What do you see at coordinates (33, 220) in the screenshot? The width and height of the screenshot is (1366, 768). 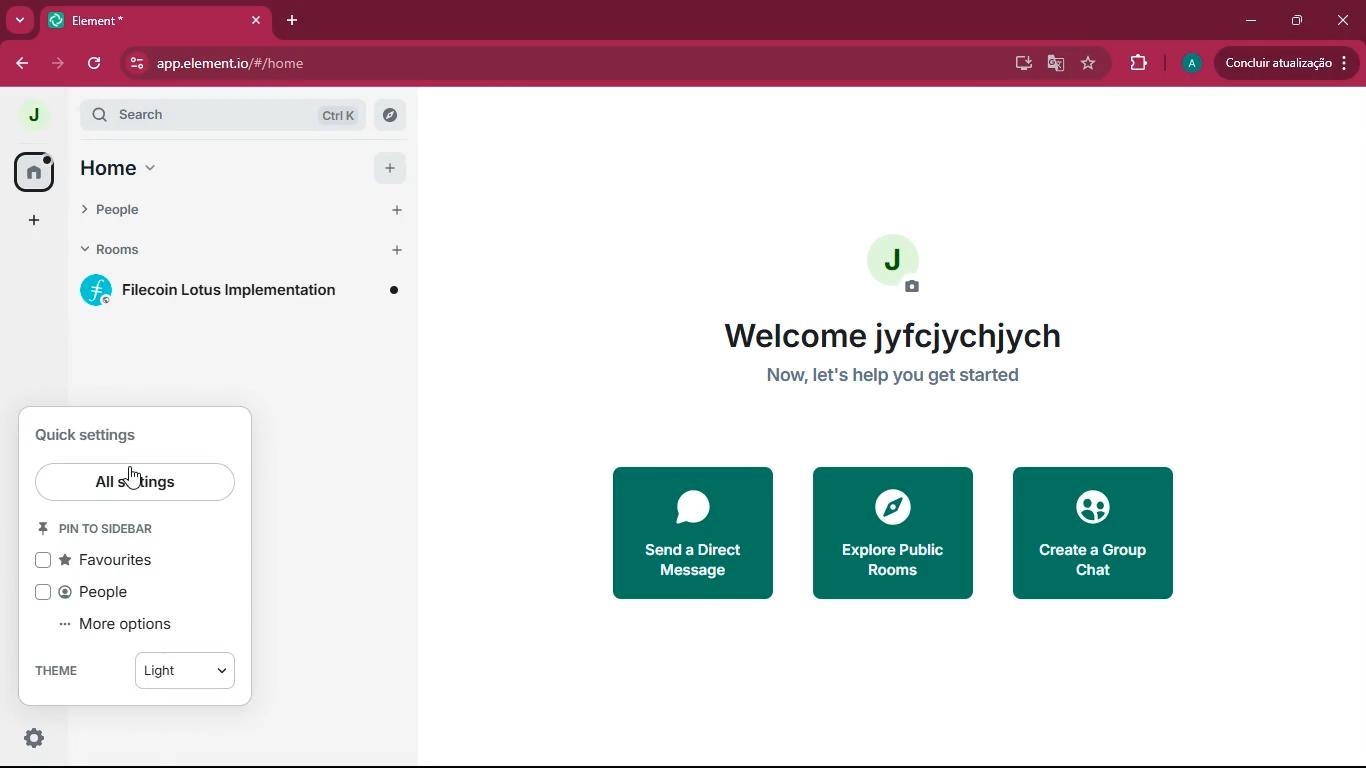 I see `add` at bounding box center [33, 220].